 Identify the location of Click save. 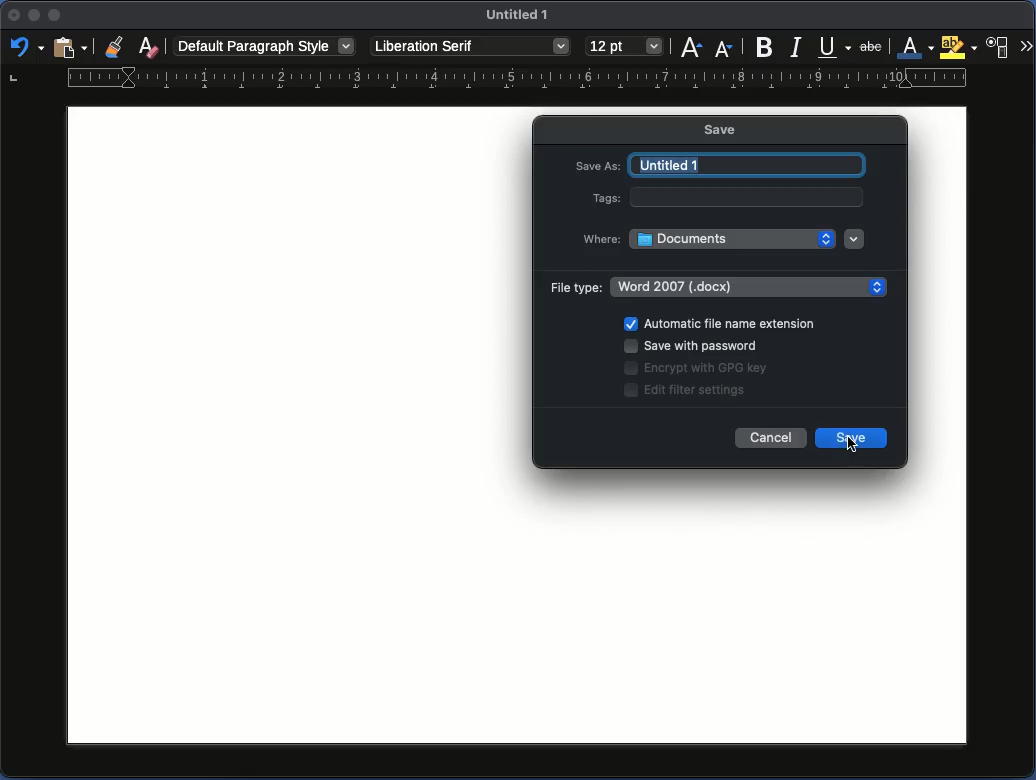
(853, 440).